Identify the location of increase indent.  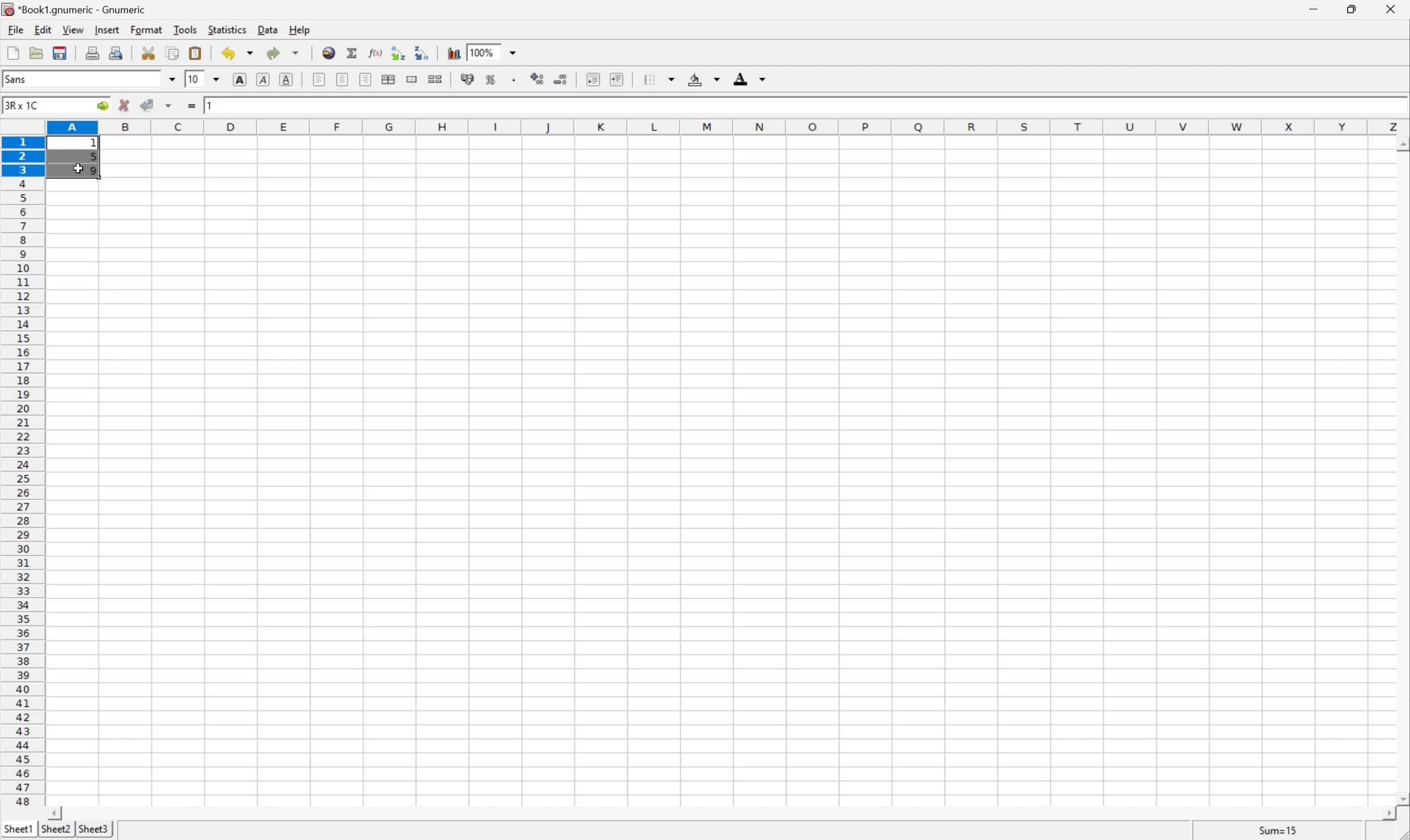
(618, 79).